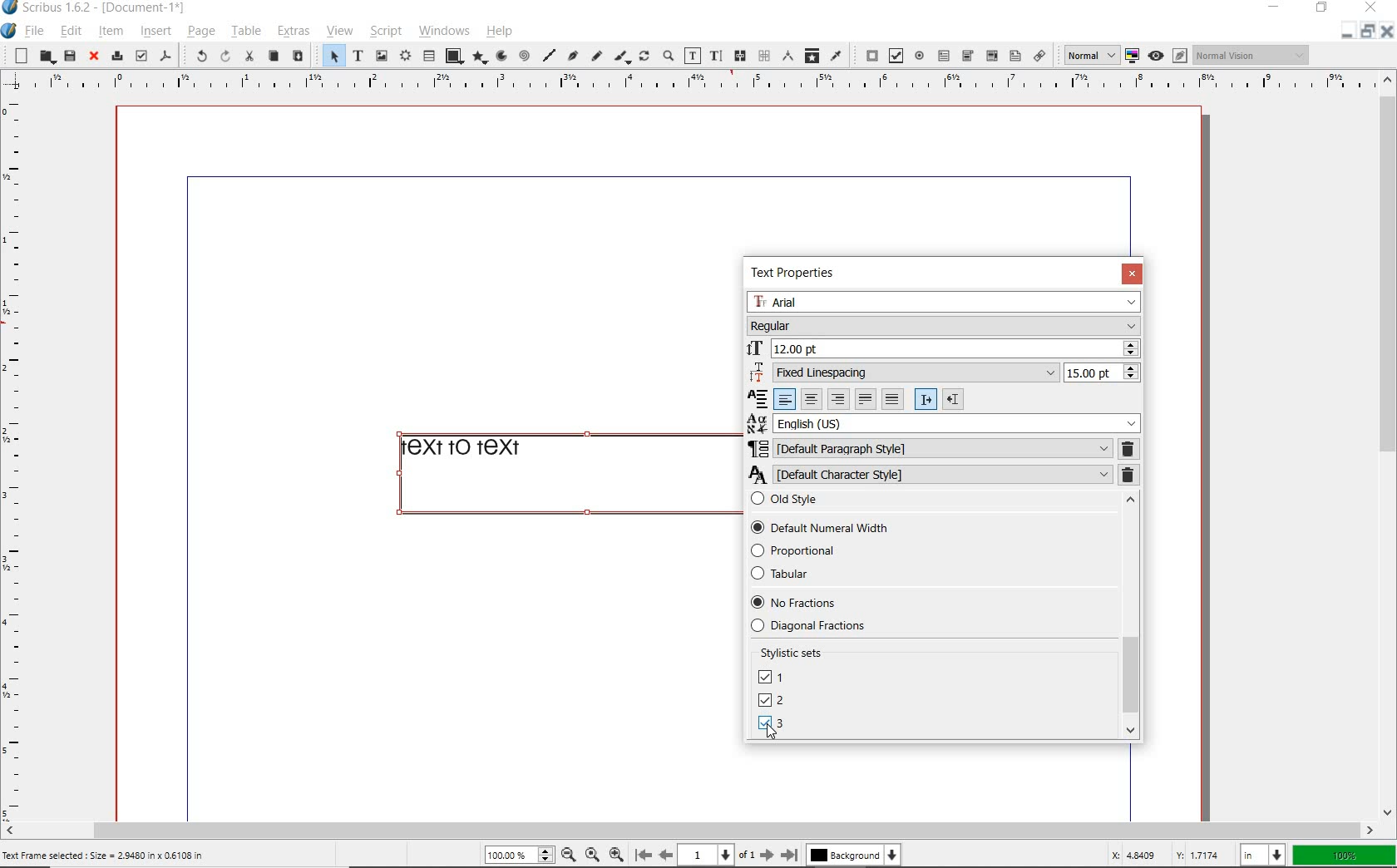 The height and width of the screenshot is (868, 1397). I want to click on CLOSE, so click(1131, 274).